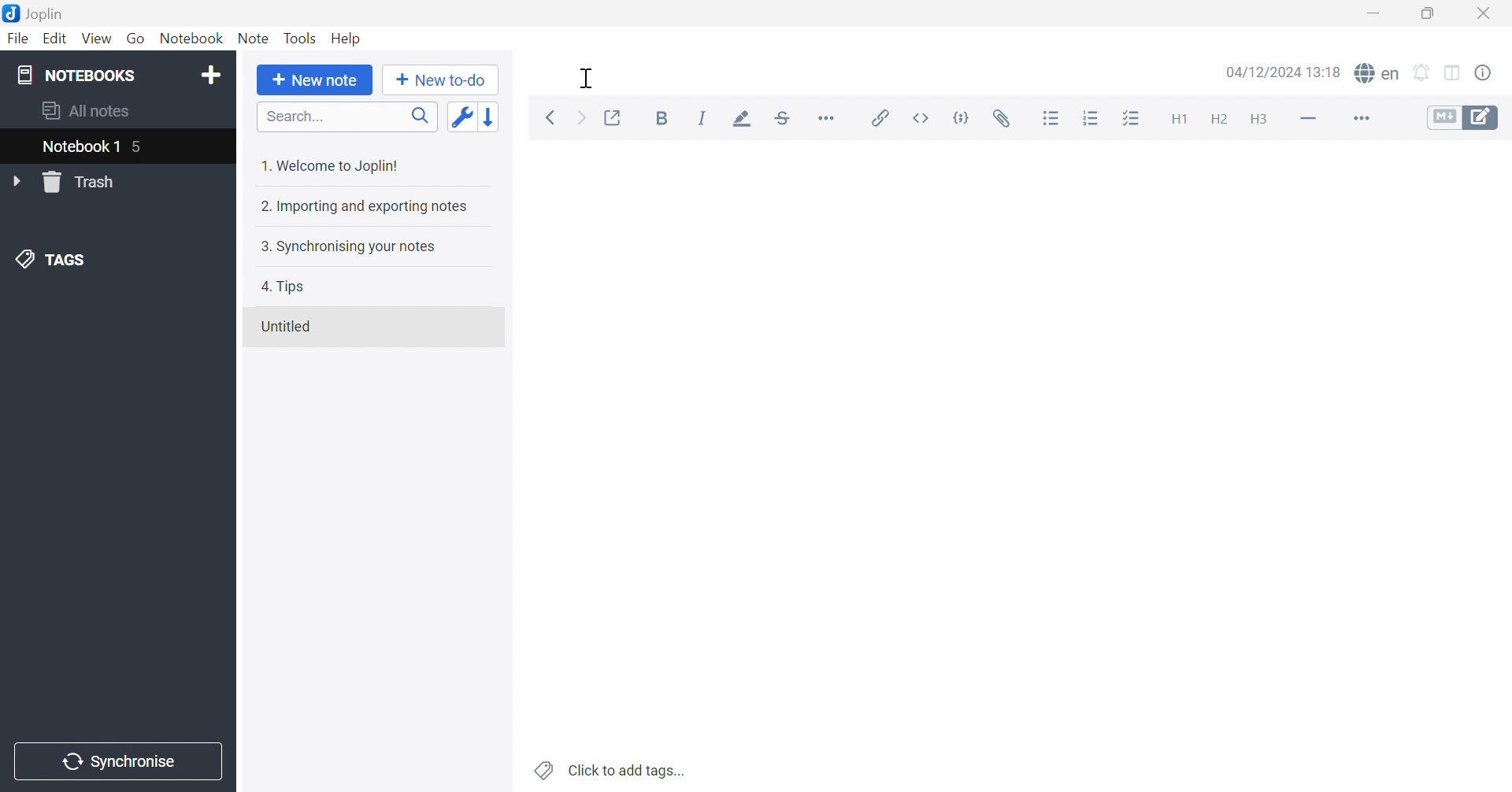  I want to click on TAGS, so click(54, 258).